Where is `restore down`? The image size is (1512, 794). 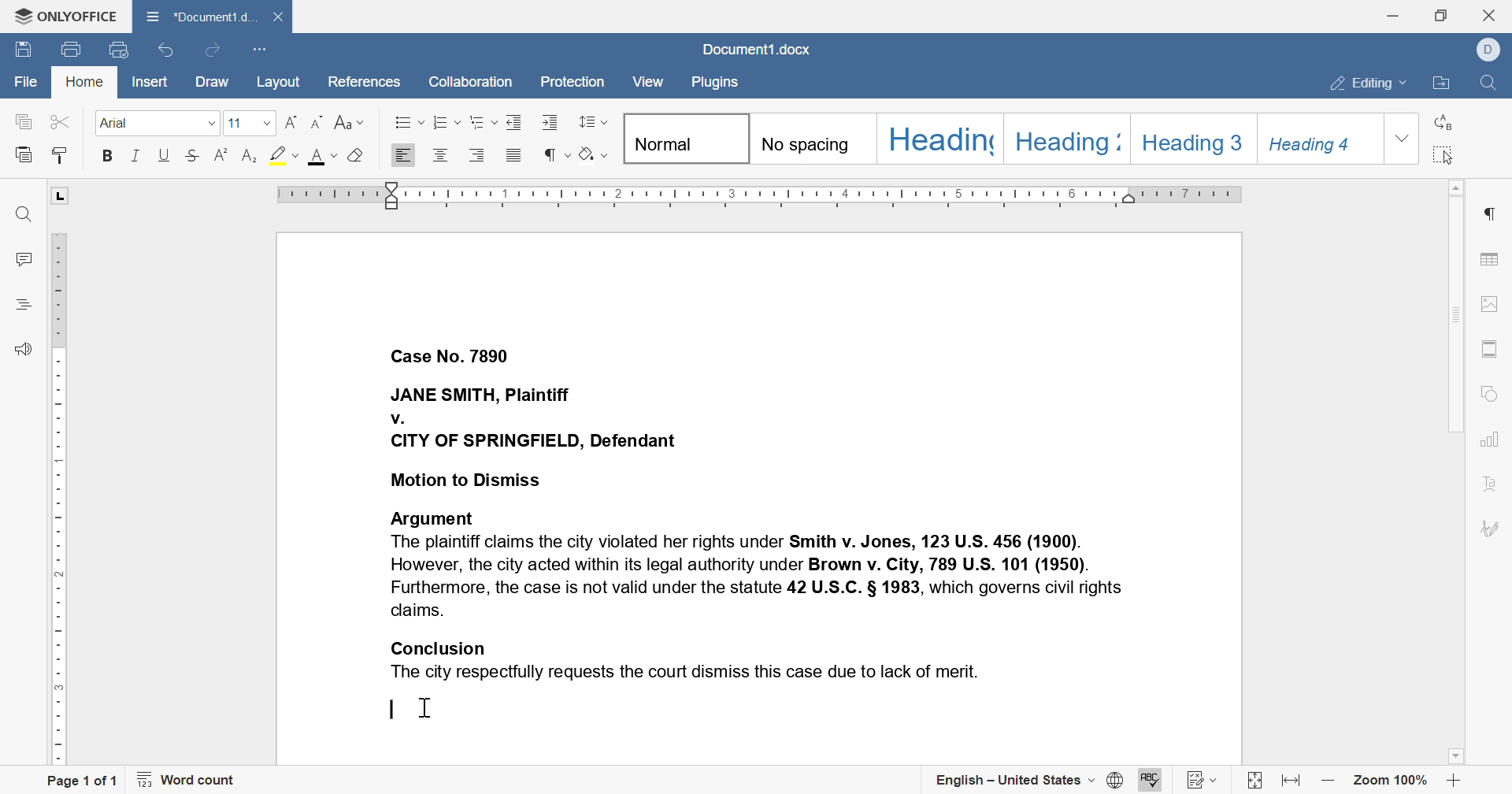
restore down is located at coordinates (1442, 17).